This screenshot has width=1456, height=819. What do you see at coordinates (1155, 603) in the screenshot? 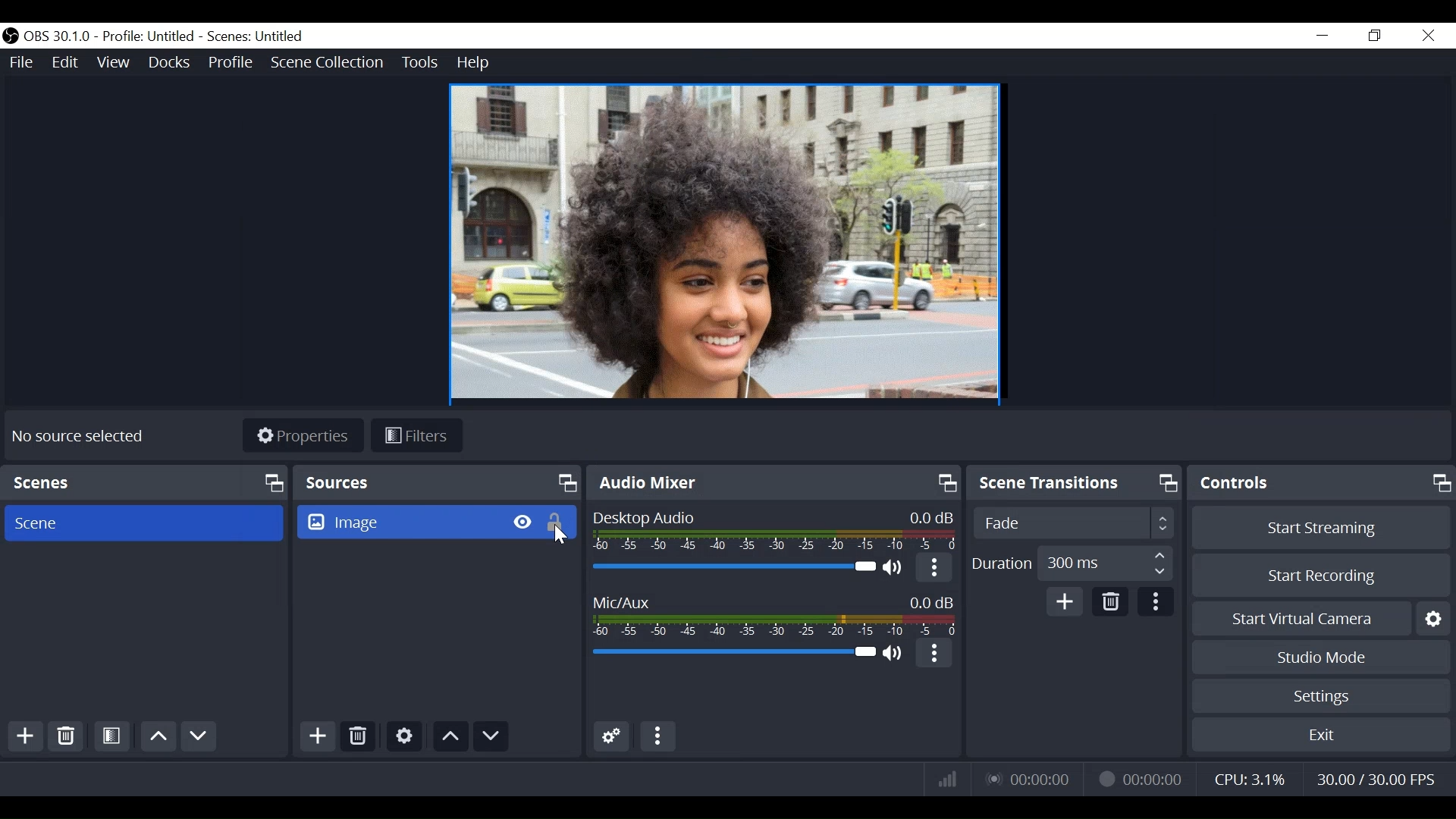
I see `more options` at bounding box center [1155, 603].